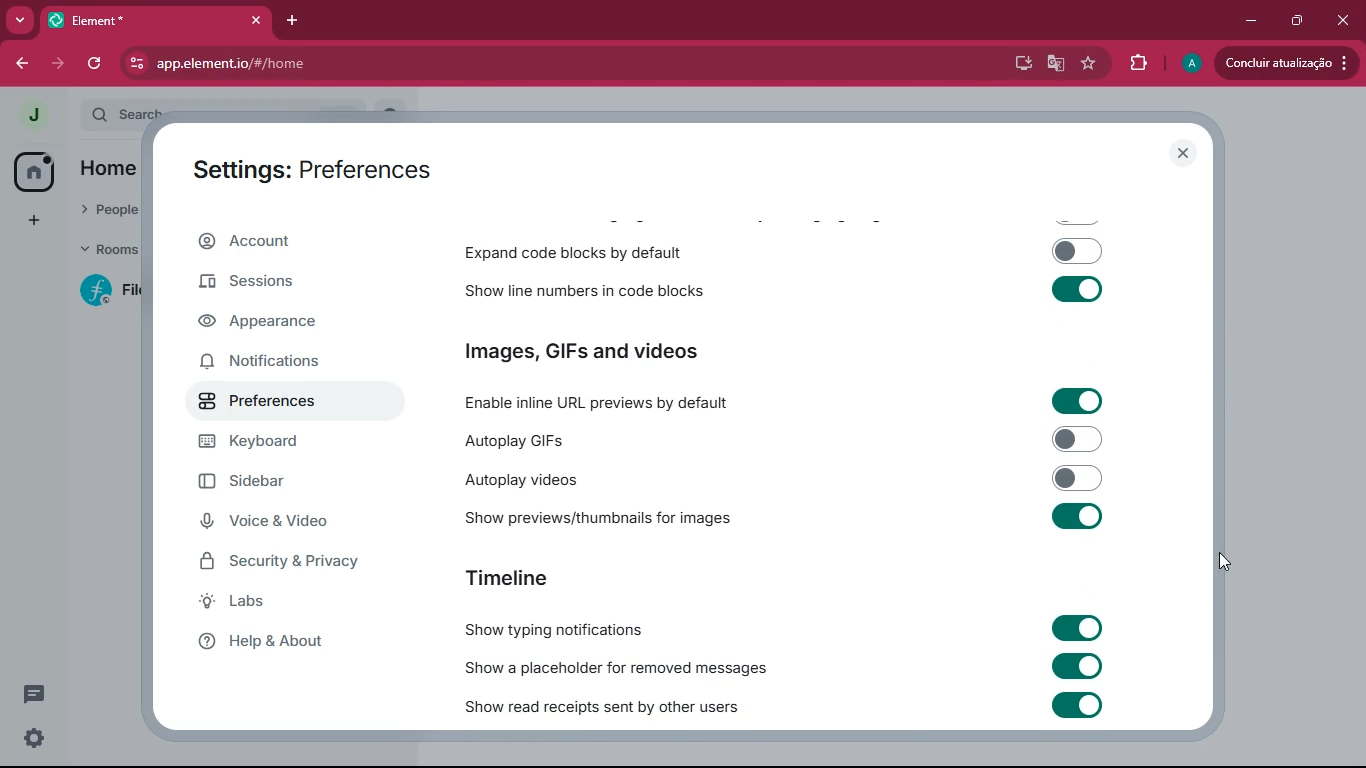 Image resolution: width=1366 pixels, height=768 pixels. I want to click on favourite, so click(1093, 64).